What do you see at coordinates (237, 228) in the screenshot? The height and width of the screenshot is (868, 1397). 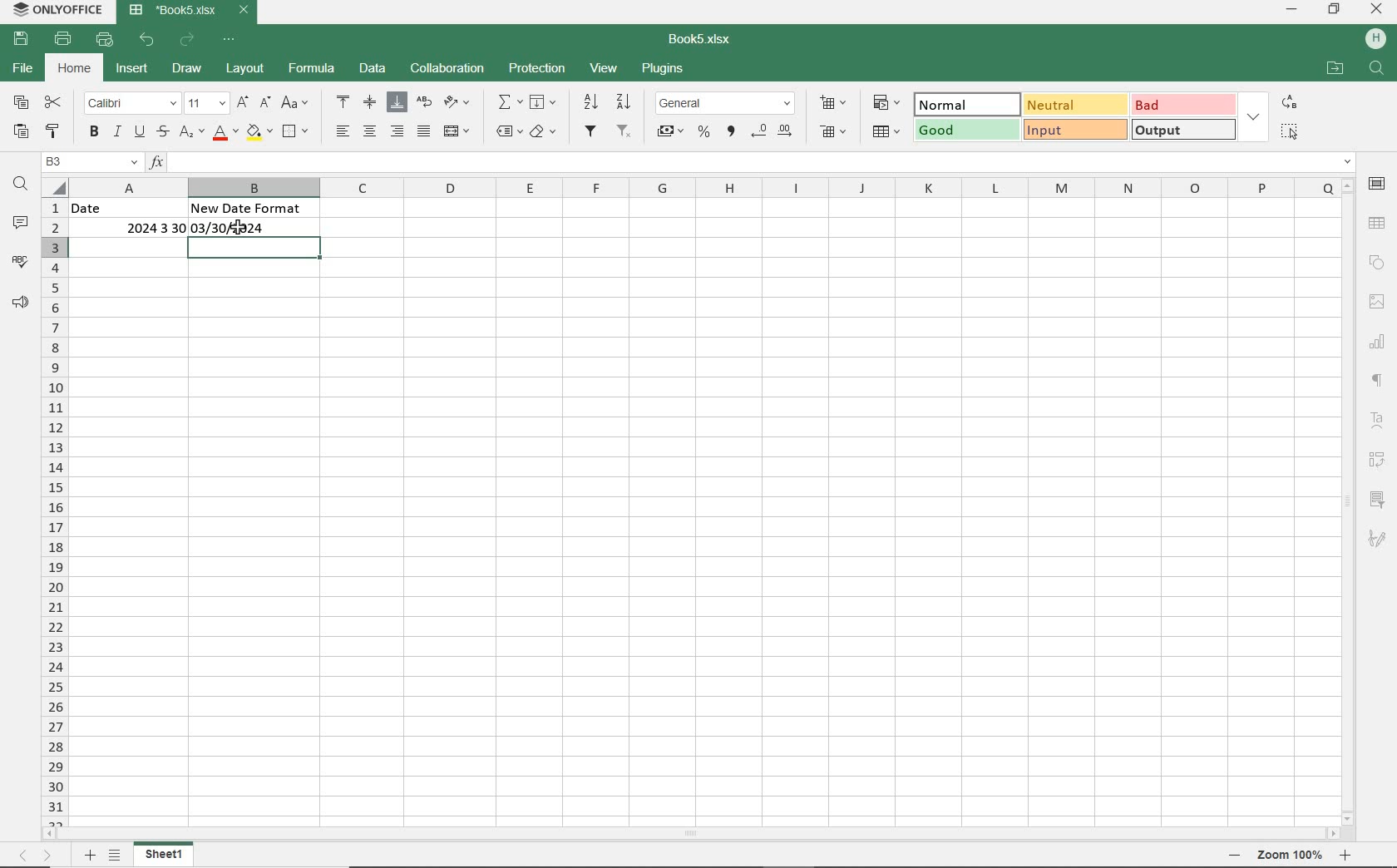 I see `FORMULA RETURN` at bounding box center [237, 228].